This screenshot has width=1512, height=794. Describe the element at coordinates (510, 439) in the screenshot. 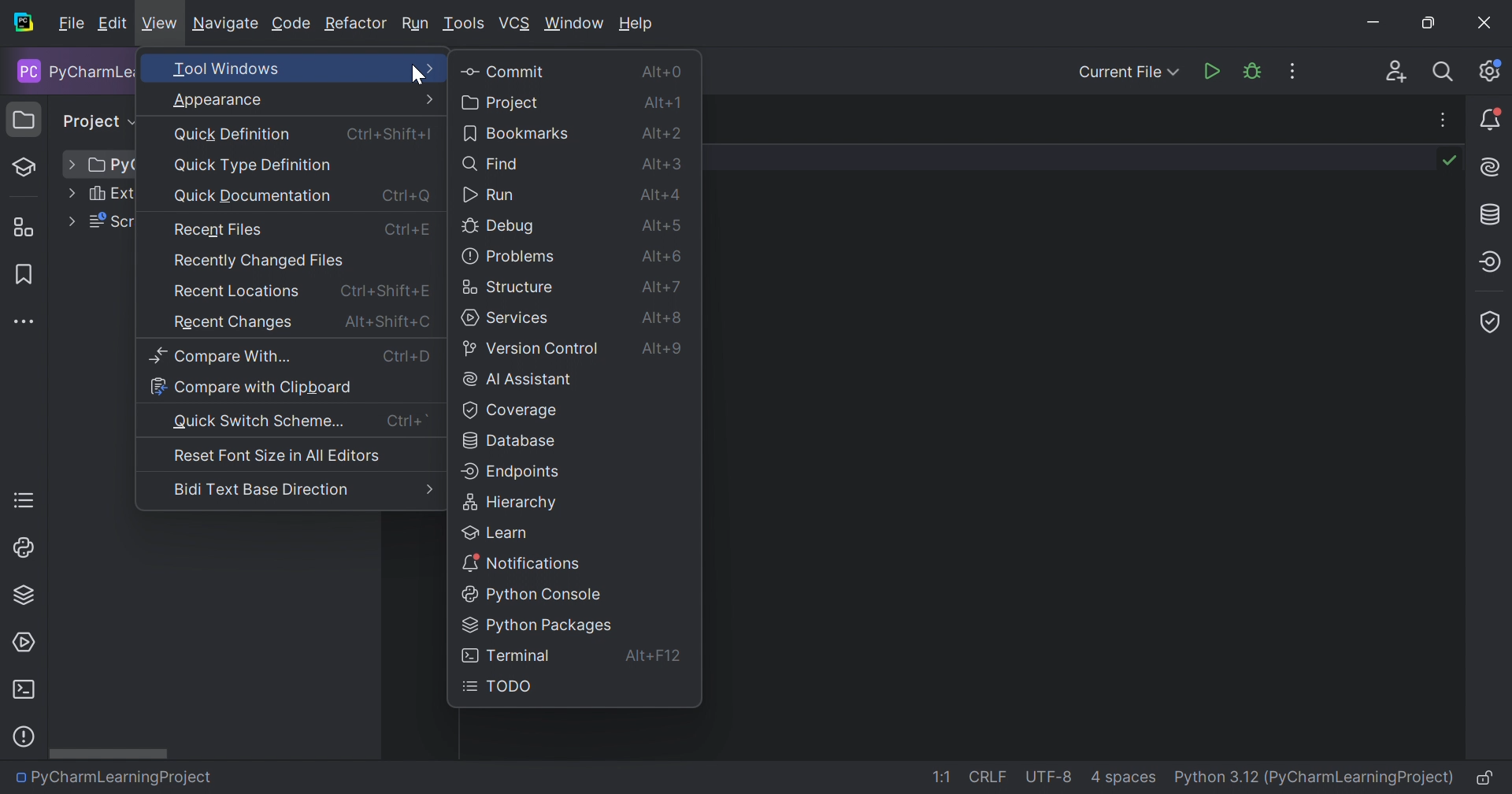

I see `Database` at that location.